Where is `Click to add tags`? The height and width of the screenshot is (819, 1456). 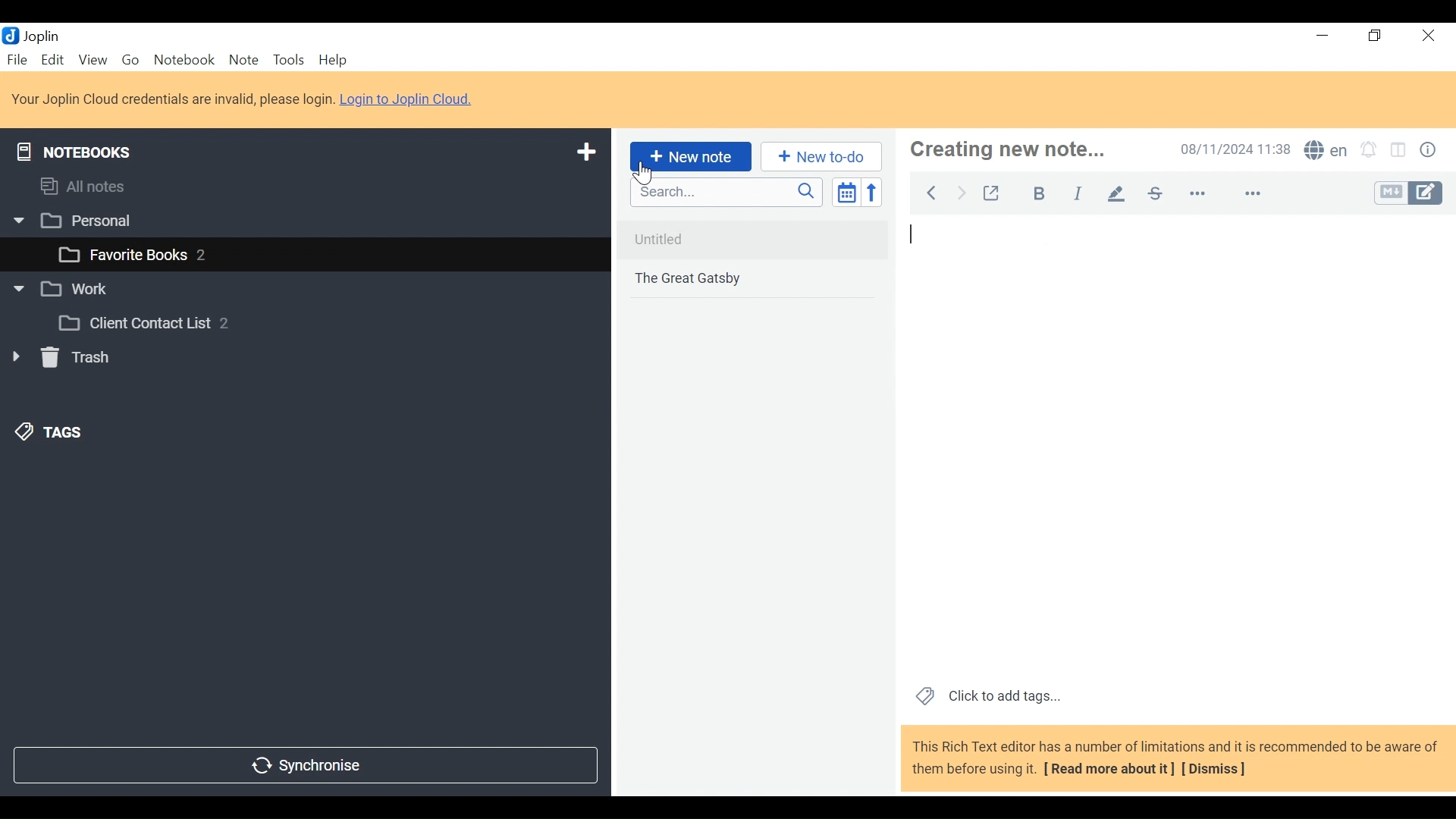
Click to add tags is located at coordinates (990, 697).